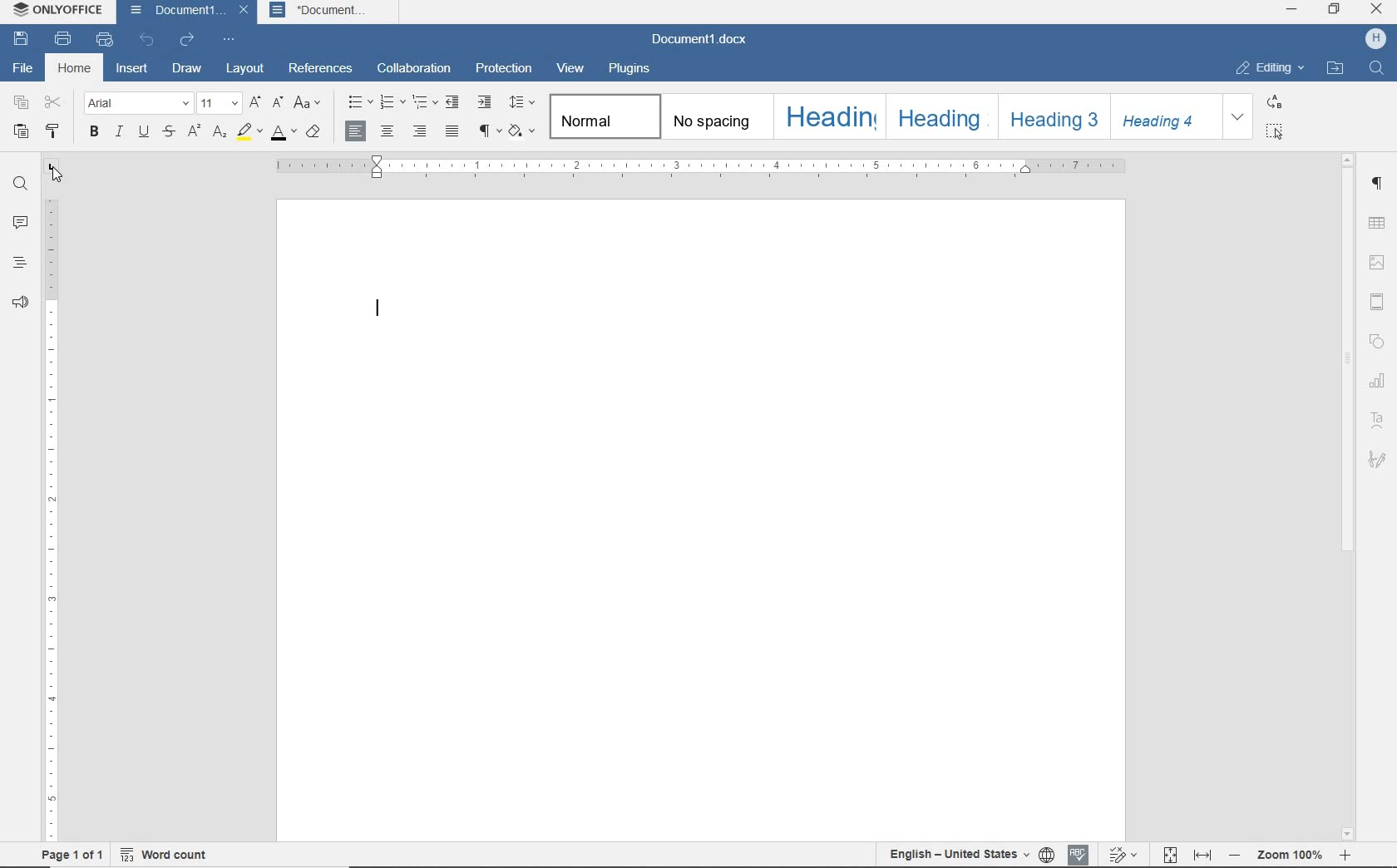 The image size is (1397, 868). I want to click on REDO, so click(185, 40).